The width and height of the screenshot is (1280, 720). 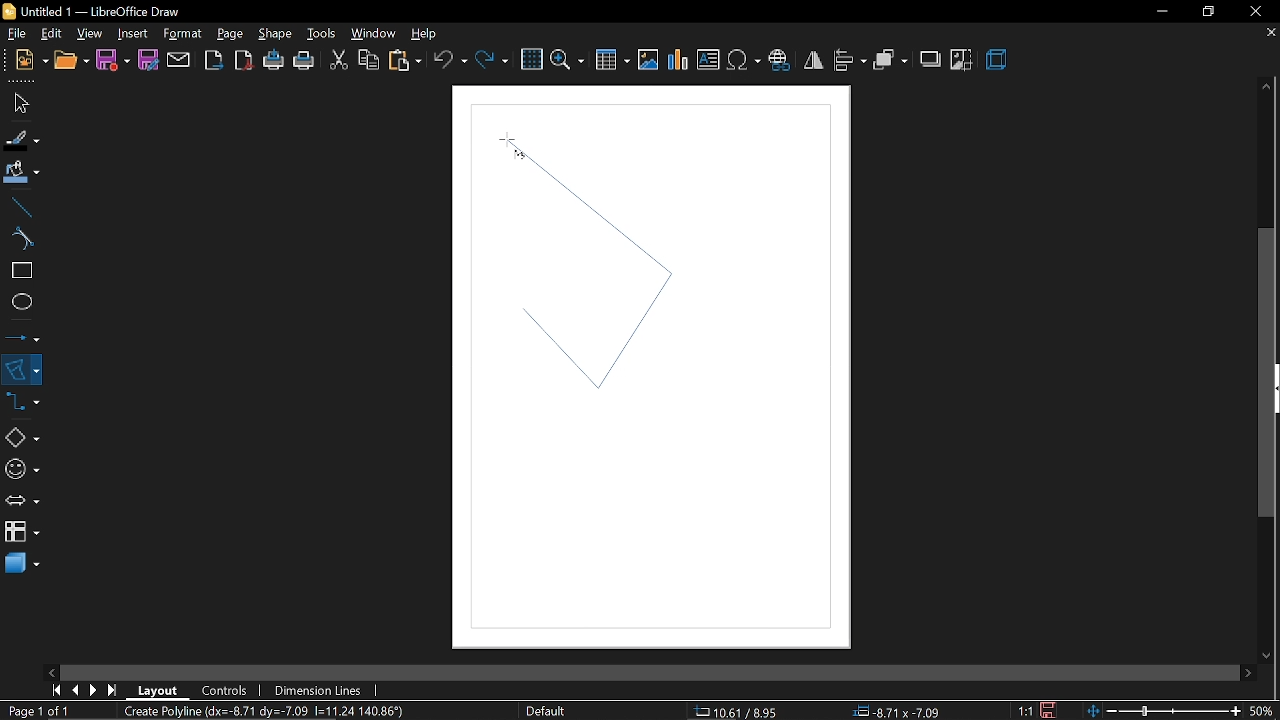 What do you see at coordinates (649, 368) in the screenshot?
I see `Canvas` at bounding box center [649, 368].